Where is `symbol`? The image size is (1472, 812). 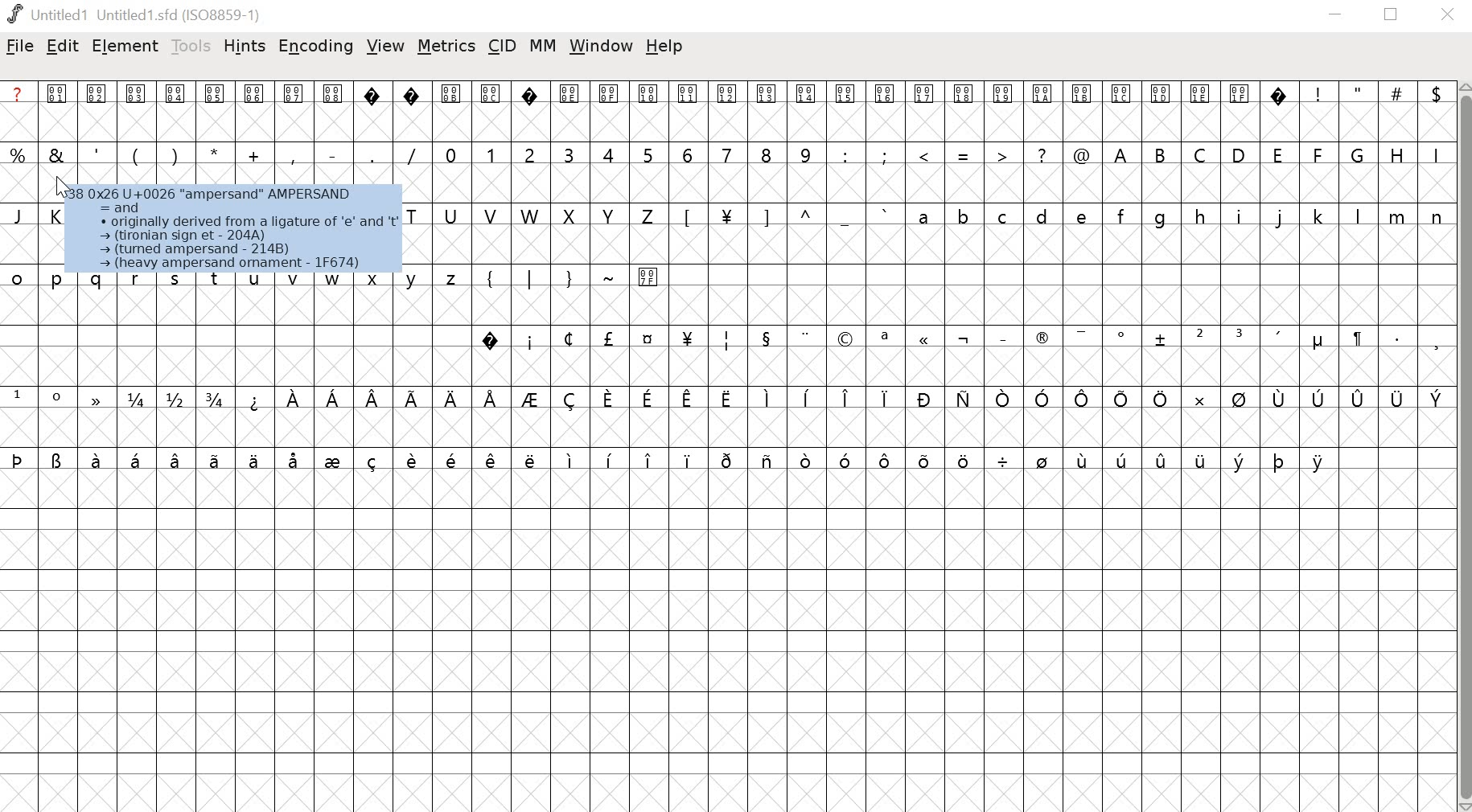
symbol is located at coordinates (1436, 397).